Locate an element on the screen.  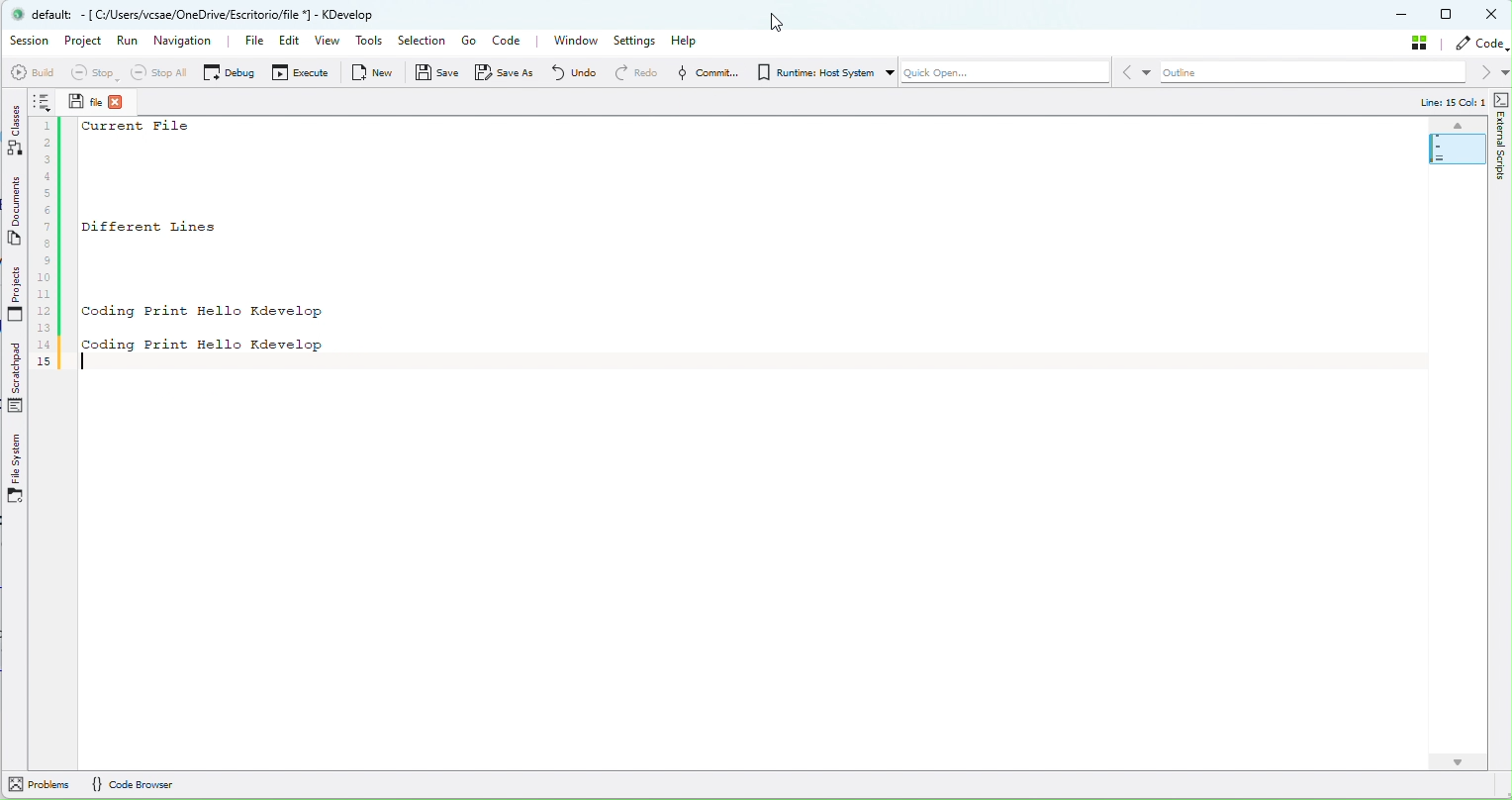
Window is located at coordinates (575, 41).